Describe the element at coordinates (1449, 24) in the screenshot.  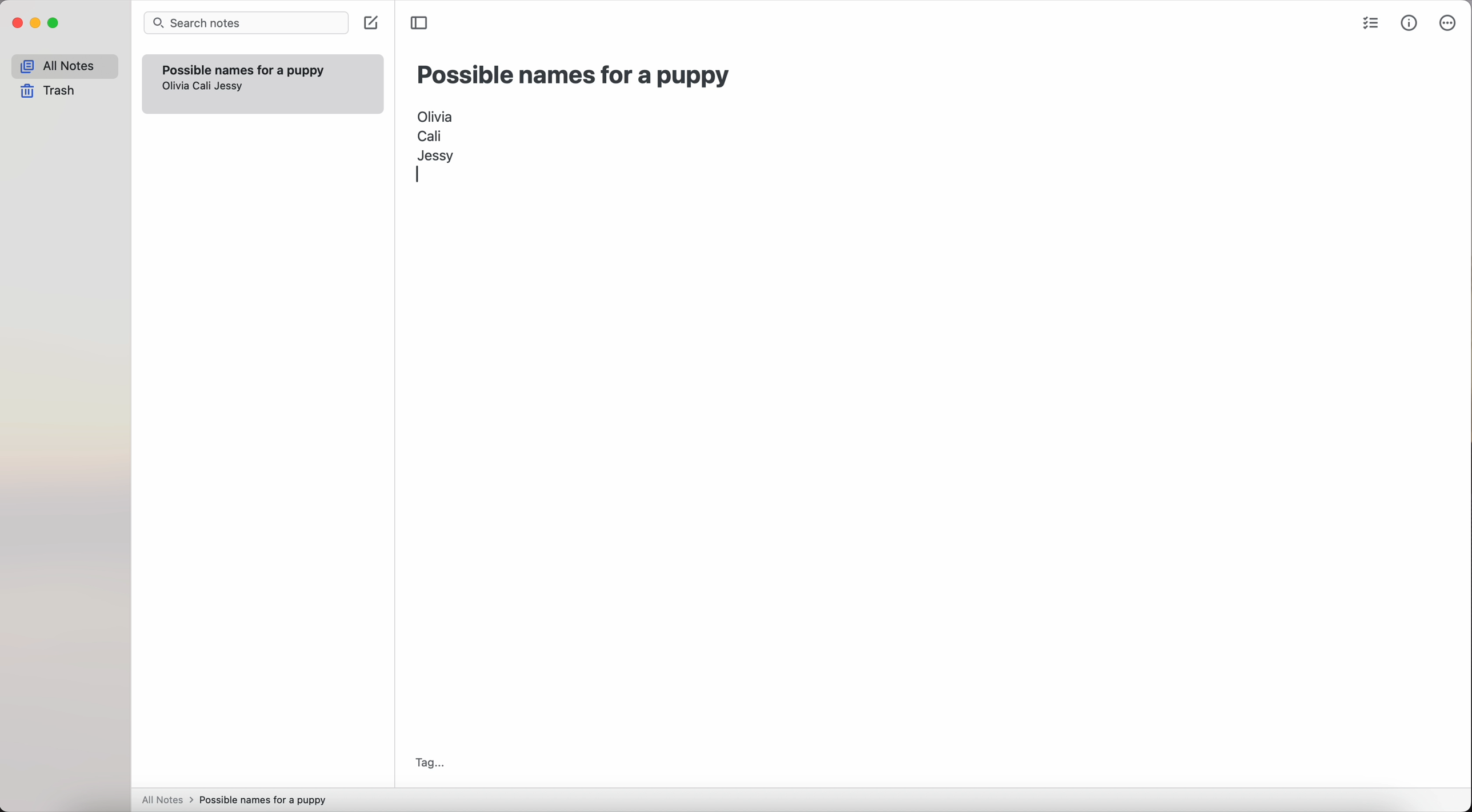
I see `more options` at that location.